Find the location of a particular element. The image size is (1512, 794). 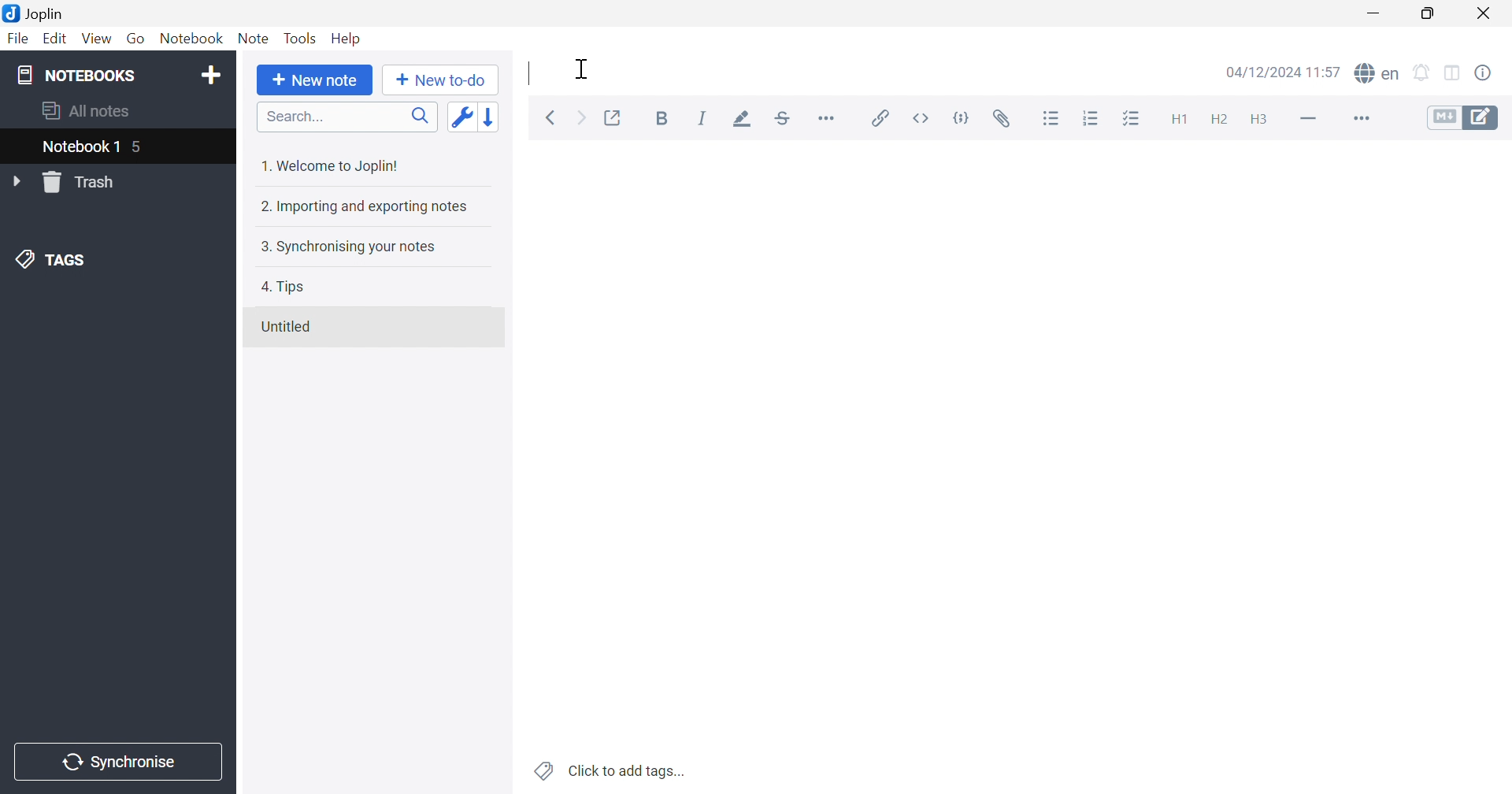

Insert / edit link is located at coordinates (881, 117).